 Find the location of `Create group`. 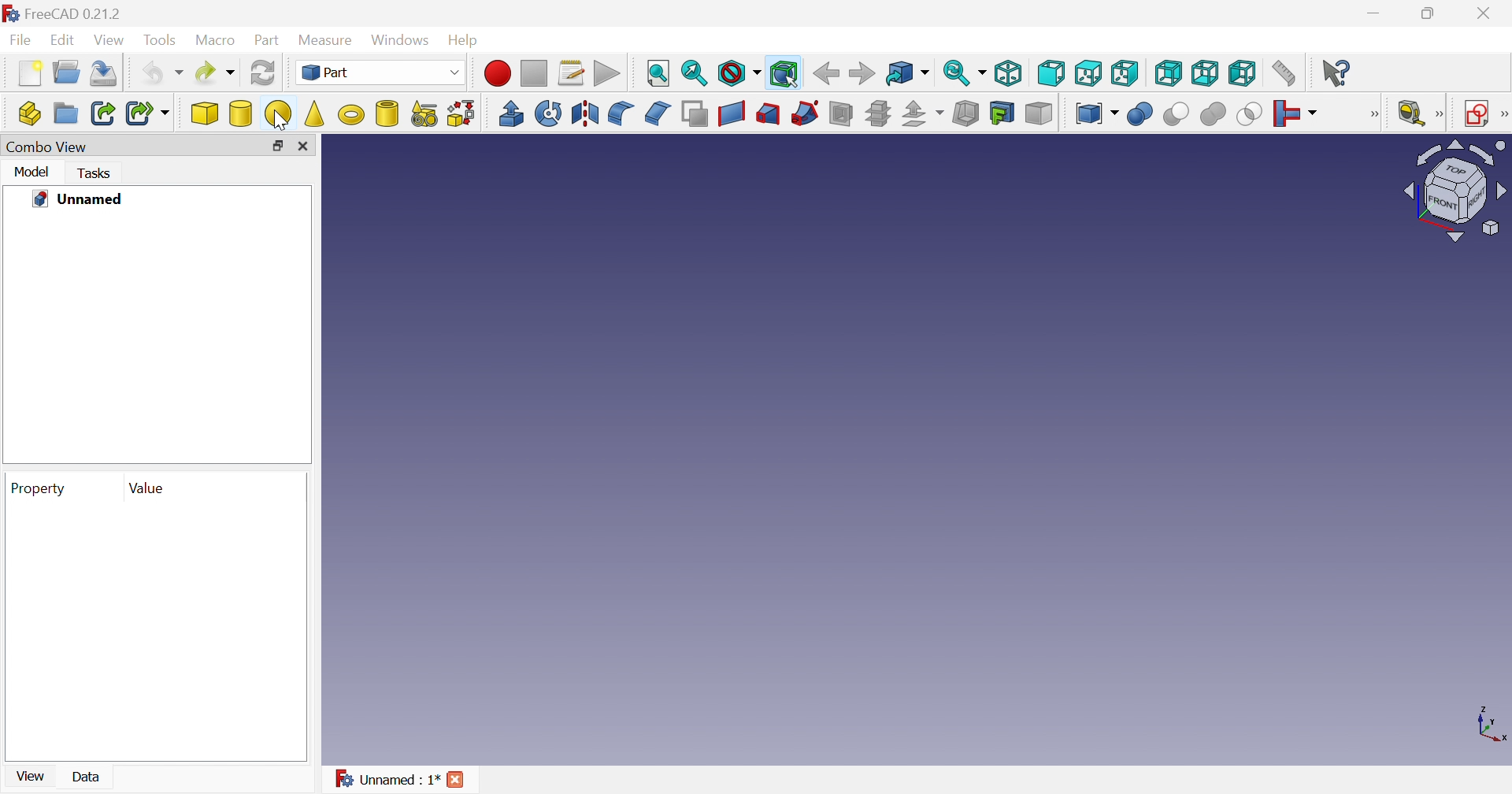

Create group is located at coordinates (66, 113).